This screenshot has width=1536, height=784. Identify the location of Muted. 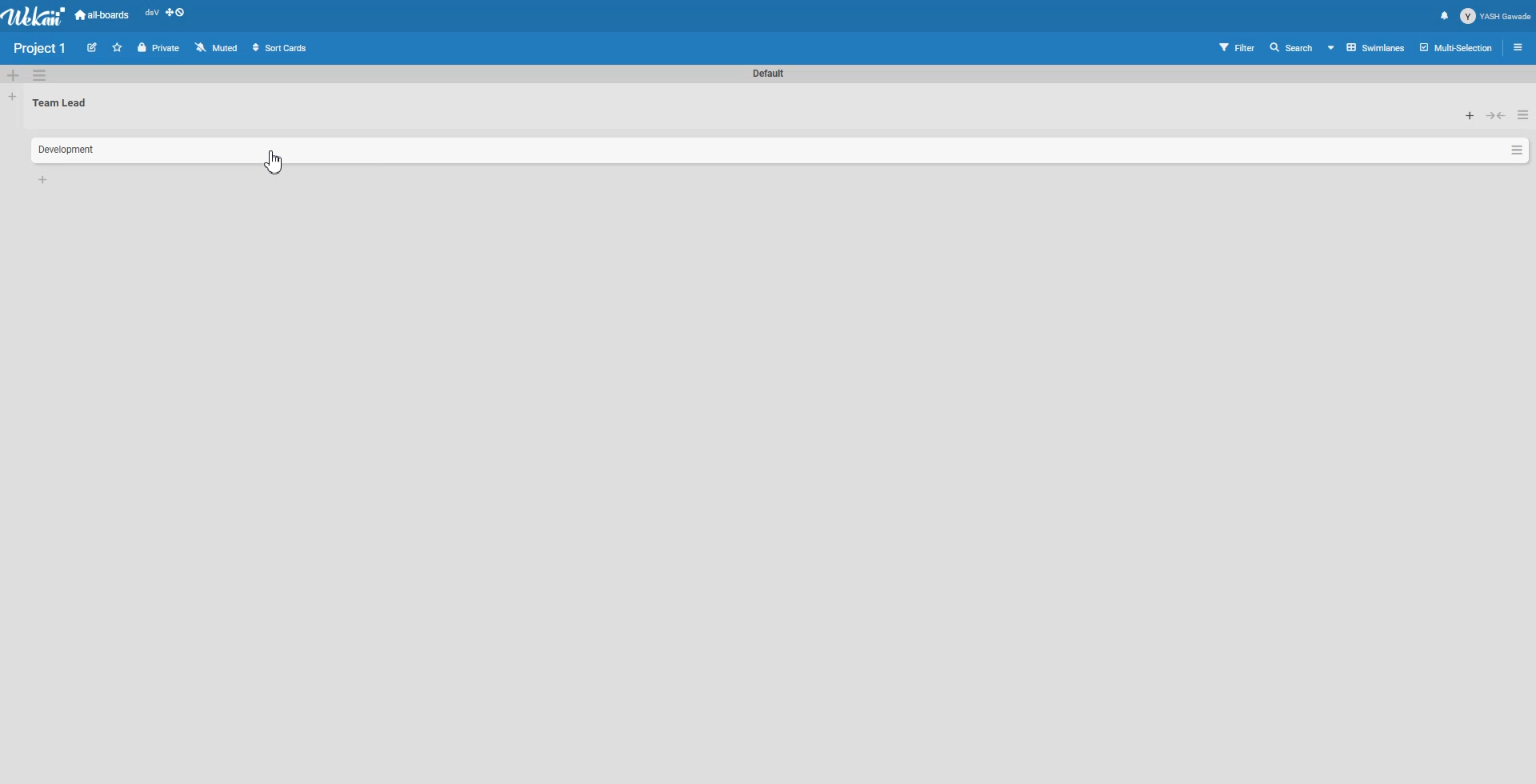
(218, 47).